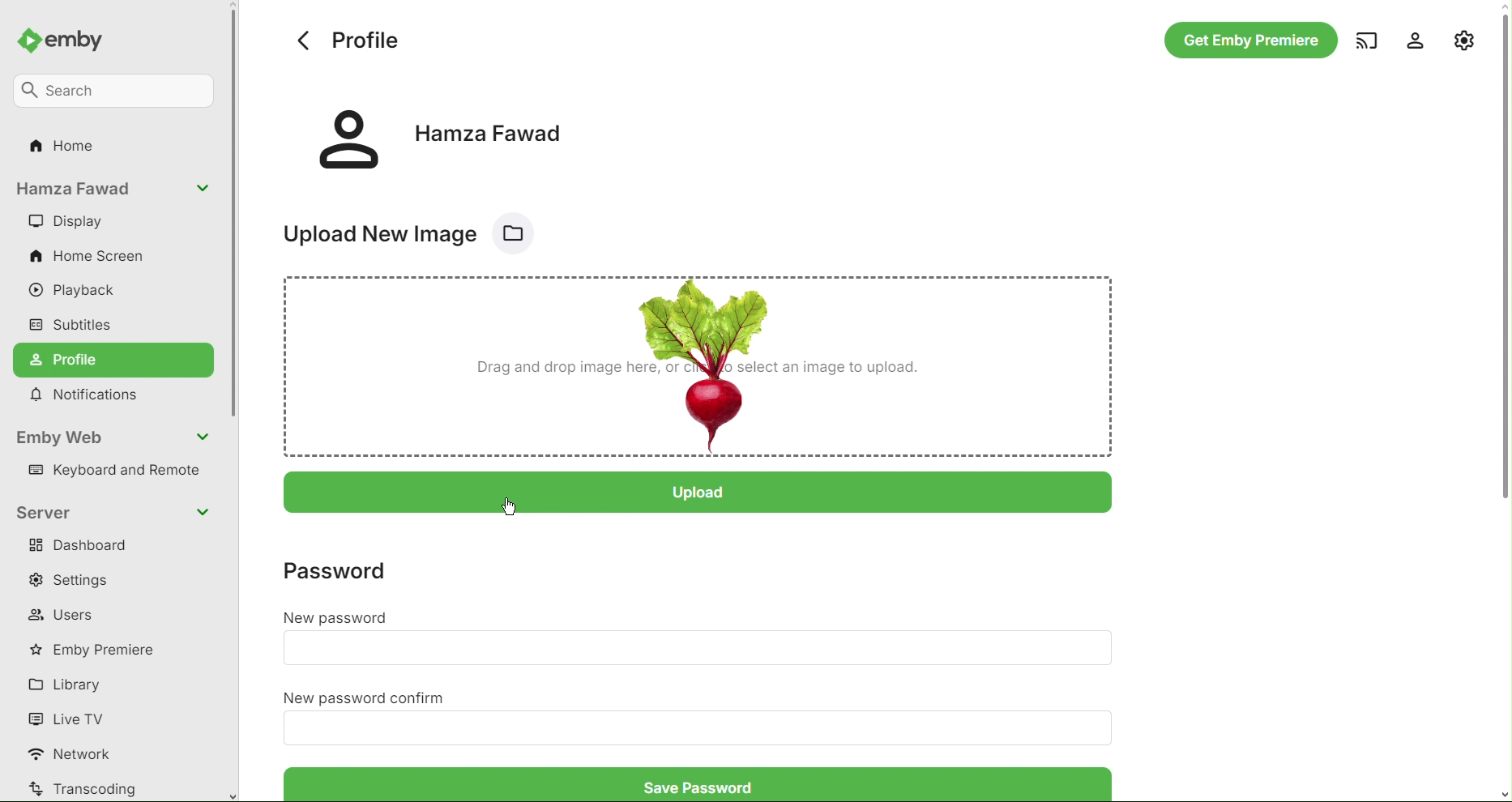 The height and width of the screenshot is (802, 1512). Describe the element at coordinates (81, 292) in the screenshot. I see `Playback` at that location.